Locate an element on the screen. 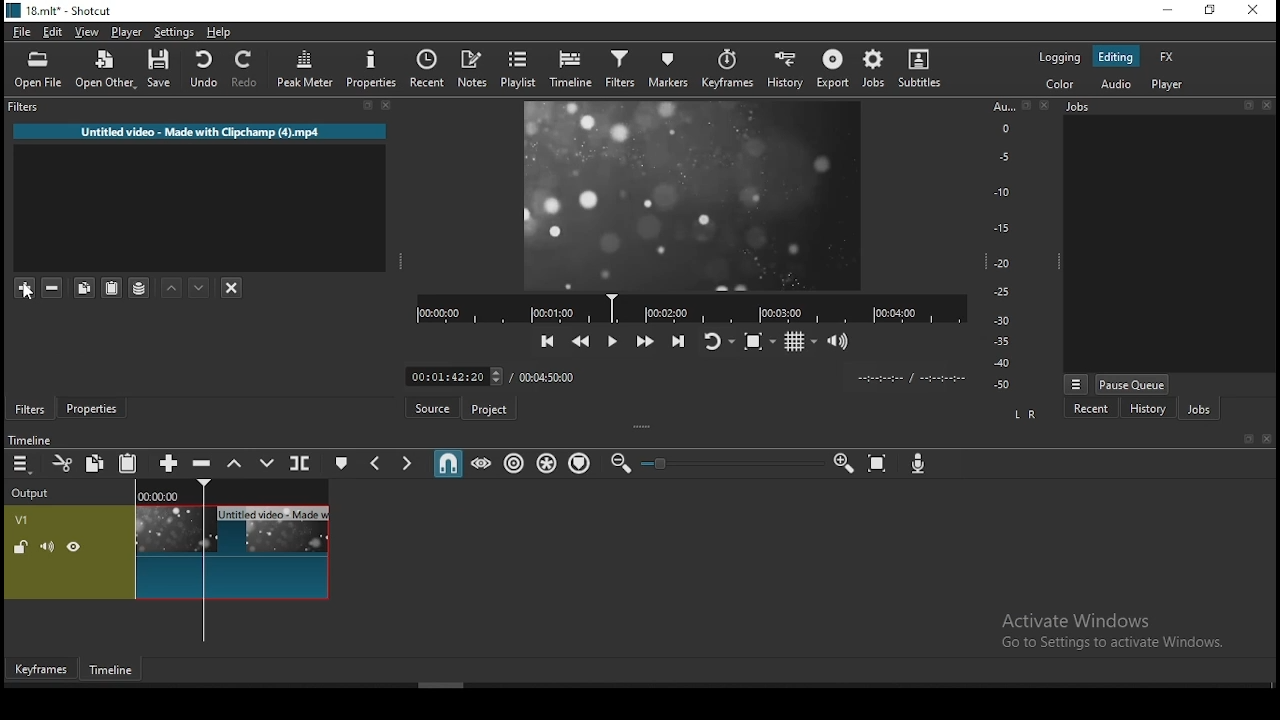 This screenshot has height=720, width=1280. copy is located at coordinates (95, 462).